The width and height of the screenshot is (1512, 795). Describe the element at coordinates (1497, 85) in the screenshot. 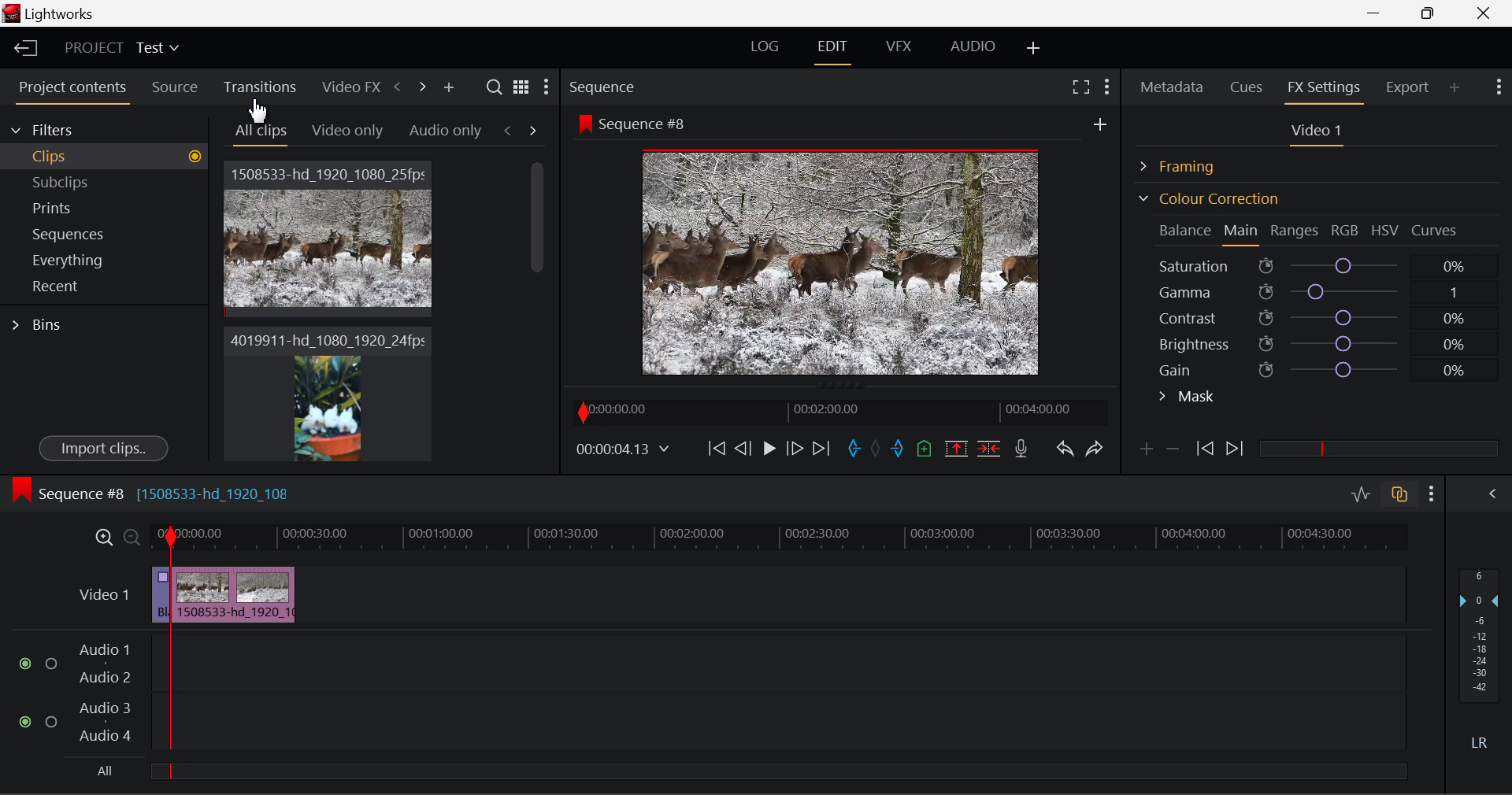

I see `Show Settings` at that location.